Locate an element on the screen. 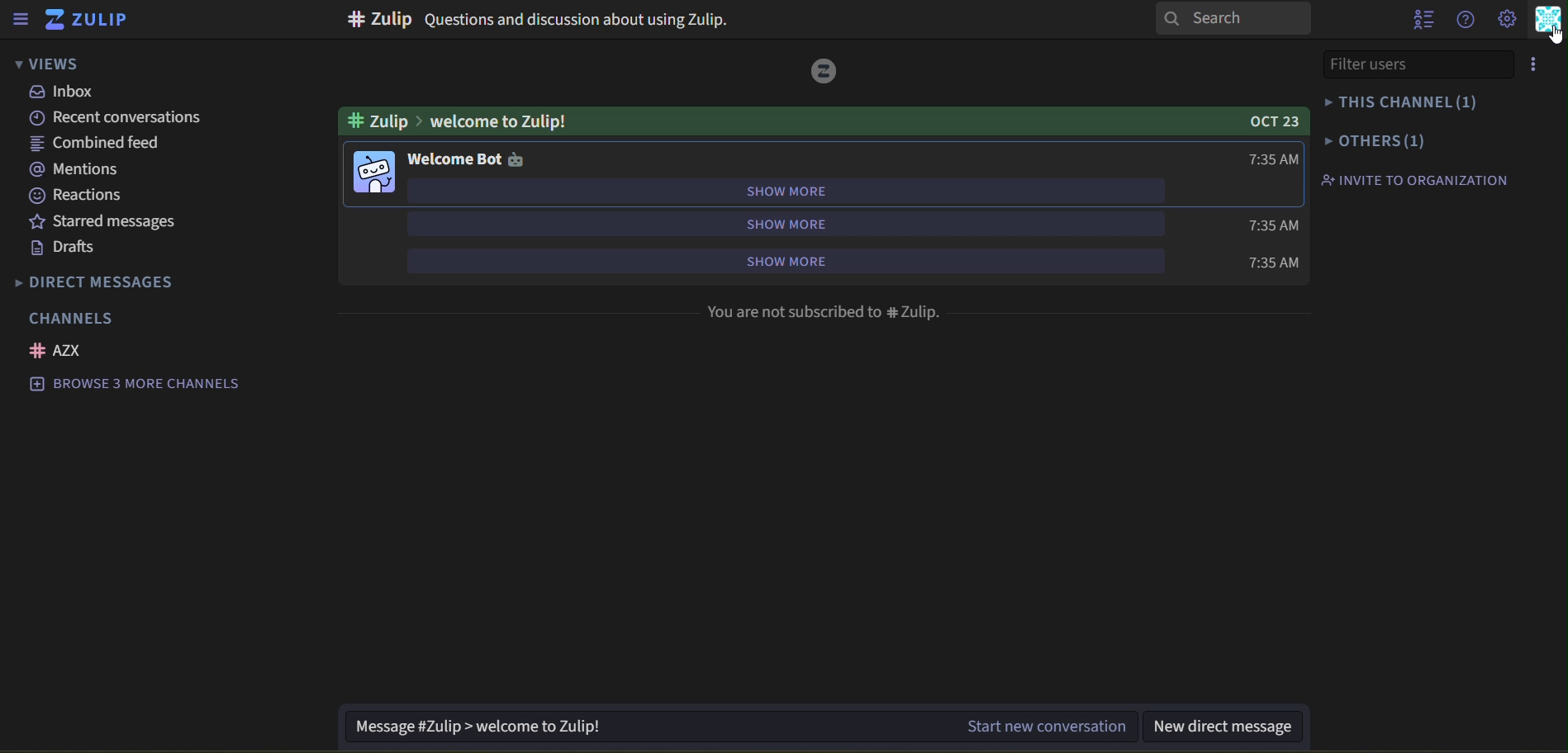  You are not subscribed to #Zulip is located at coordinates (825, 314).